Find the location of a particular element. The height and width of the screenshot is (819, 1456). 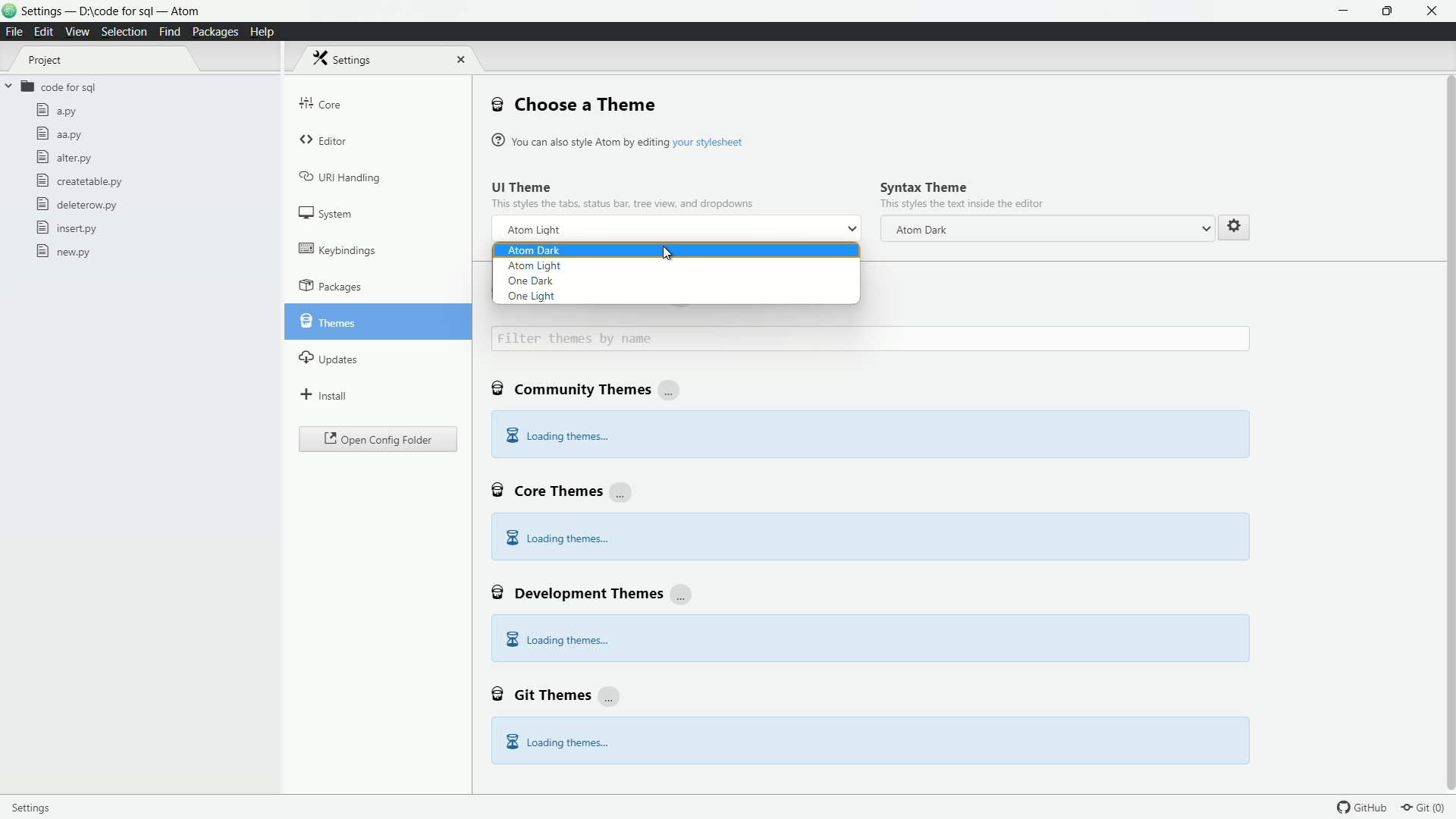

system is located at coordinates (327, 213).